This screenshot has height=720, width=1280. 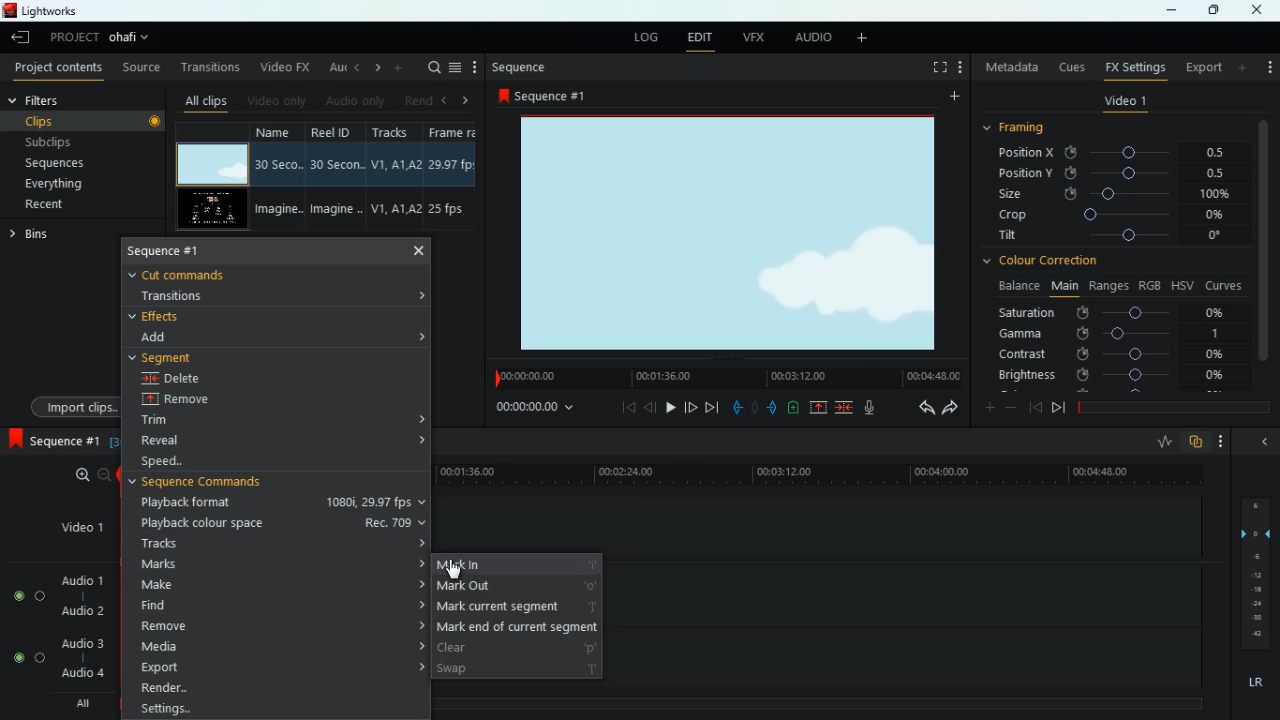 What do you see at coordinates (281, 134) in the screenshot?
I see `name` at bounding box center [281, 134].